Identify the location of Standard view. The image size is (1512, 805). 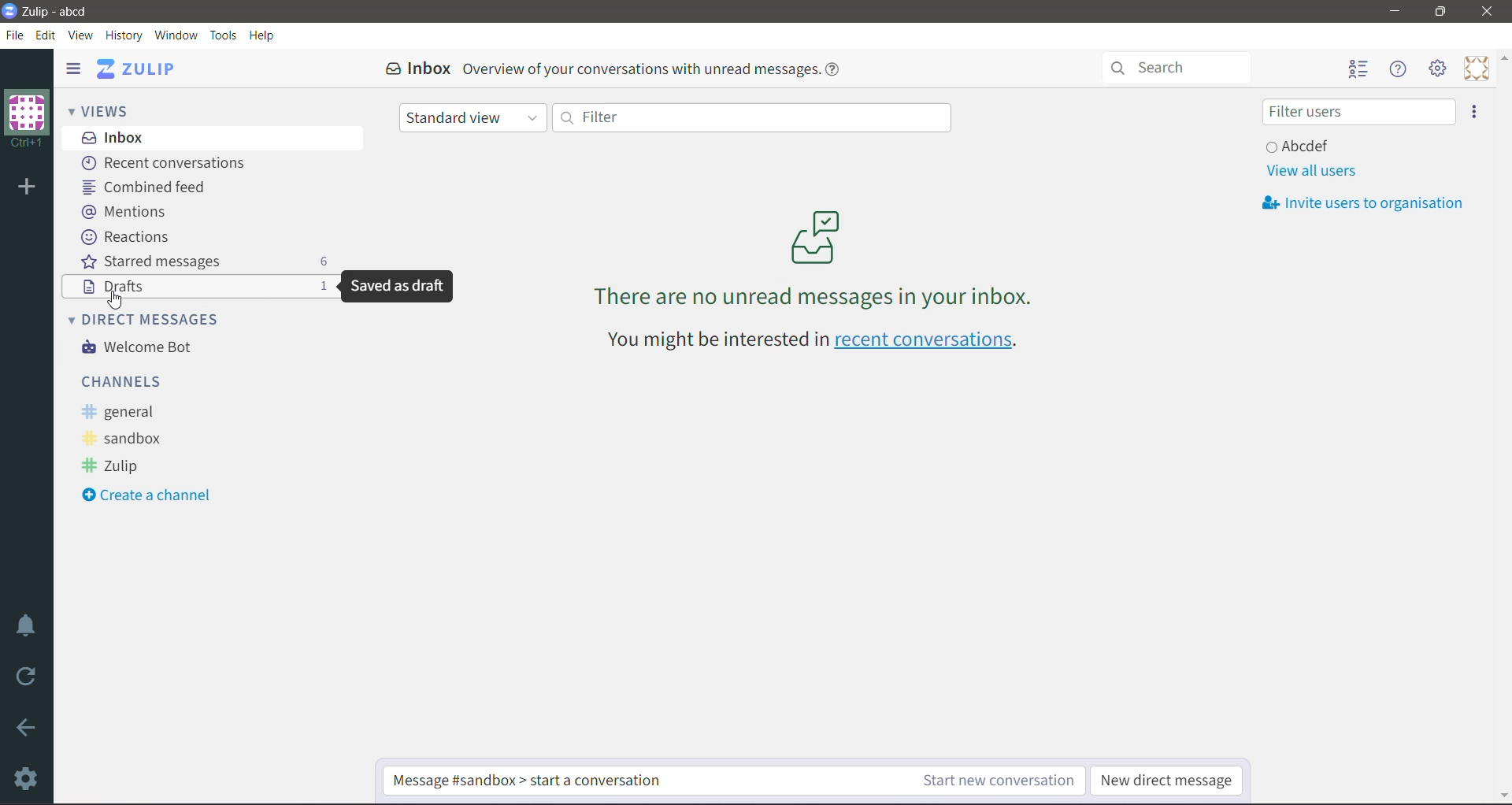
(473, 119).